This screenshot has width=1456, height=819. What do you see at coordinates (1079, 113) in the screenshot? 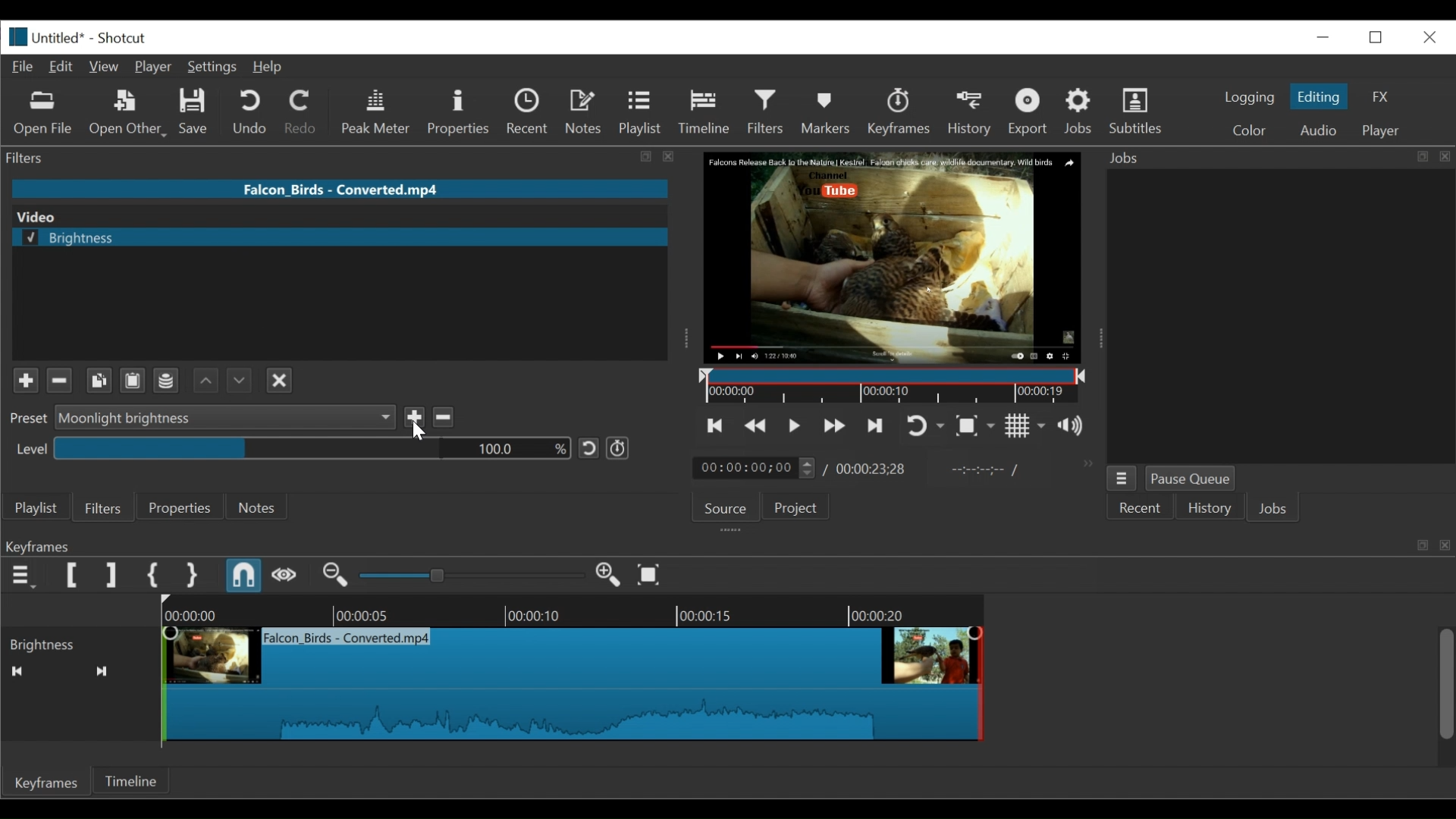
I see `Jobs` at bounding box center [1079, 113].